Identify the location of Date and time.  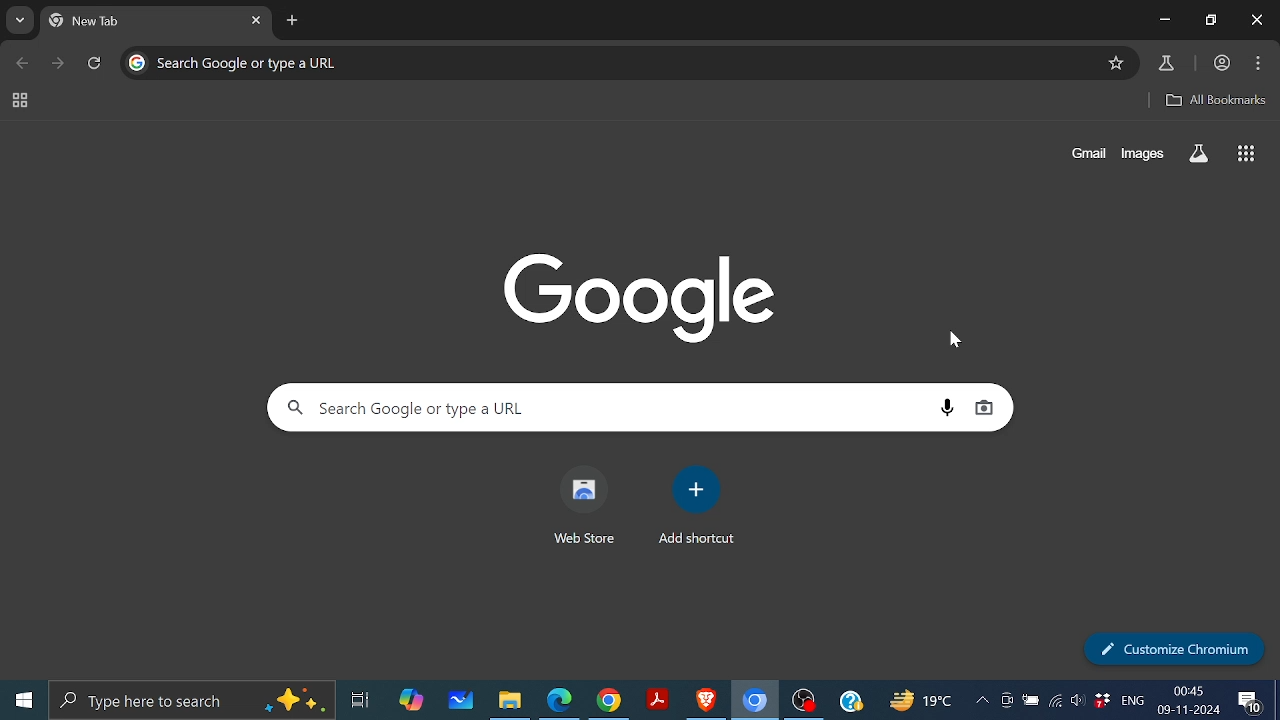
(1190, 700).